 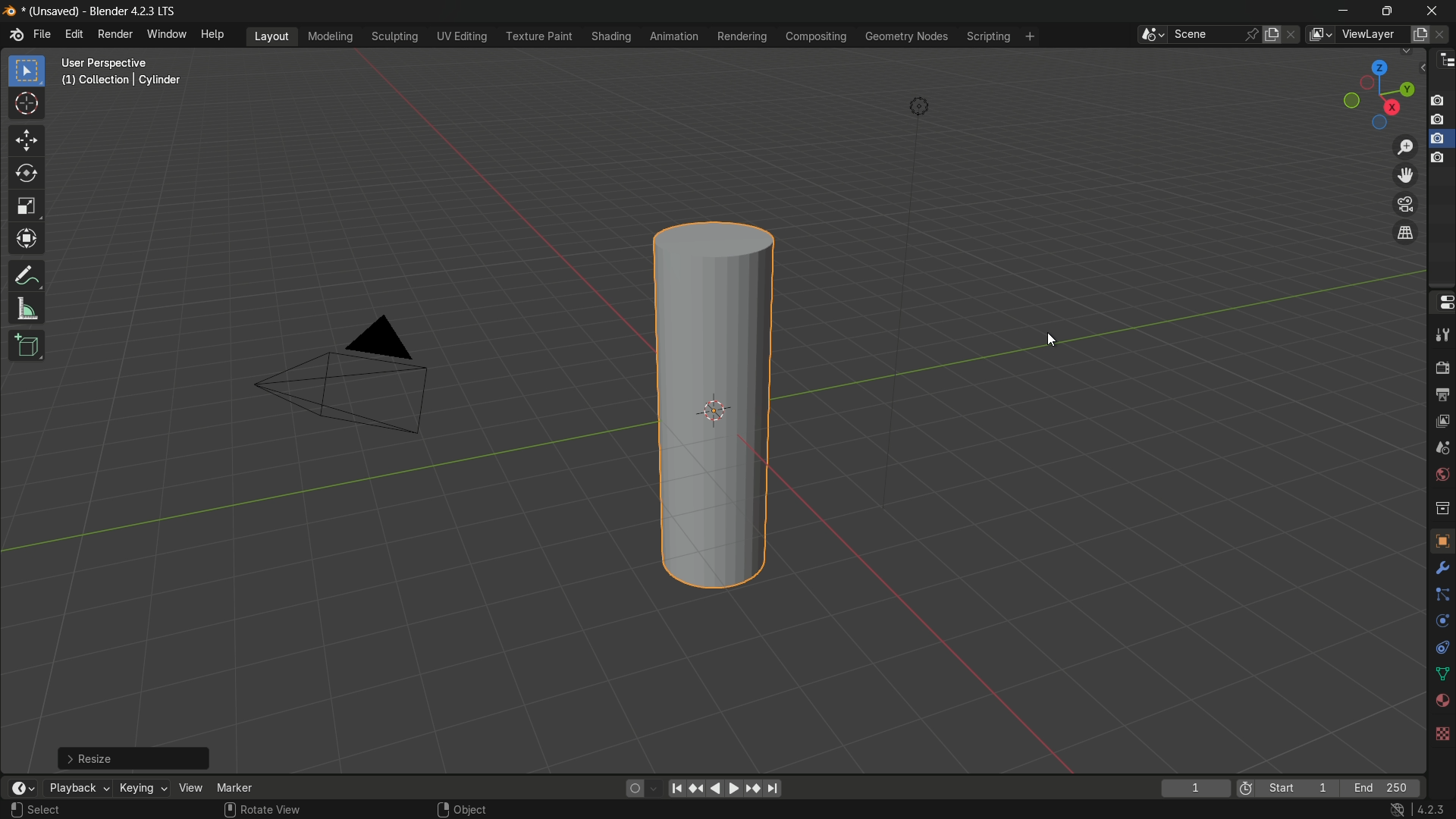 What do you see at coordinates (1439, 157) in the screenshot?
I see `layer 4` at bounding box center [1439, 157].